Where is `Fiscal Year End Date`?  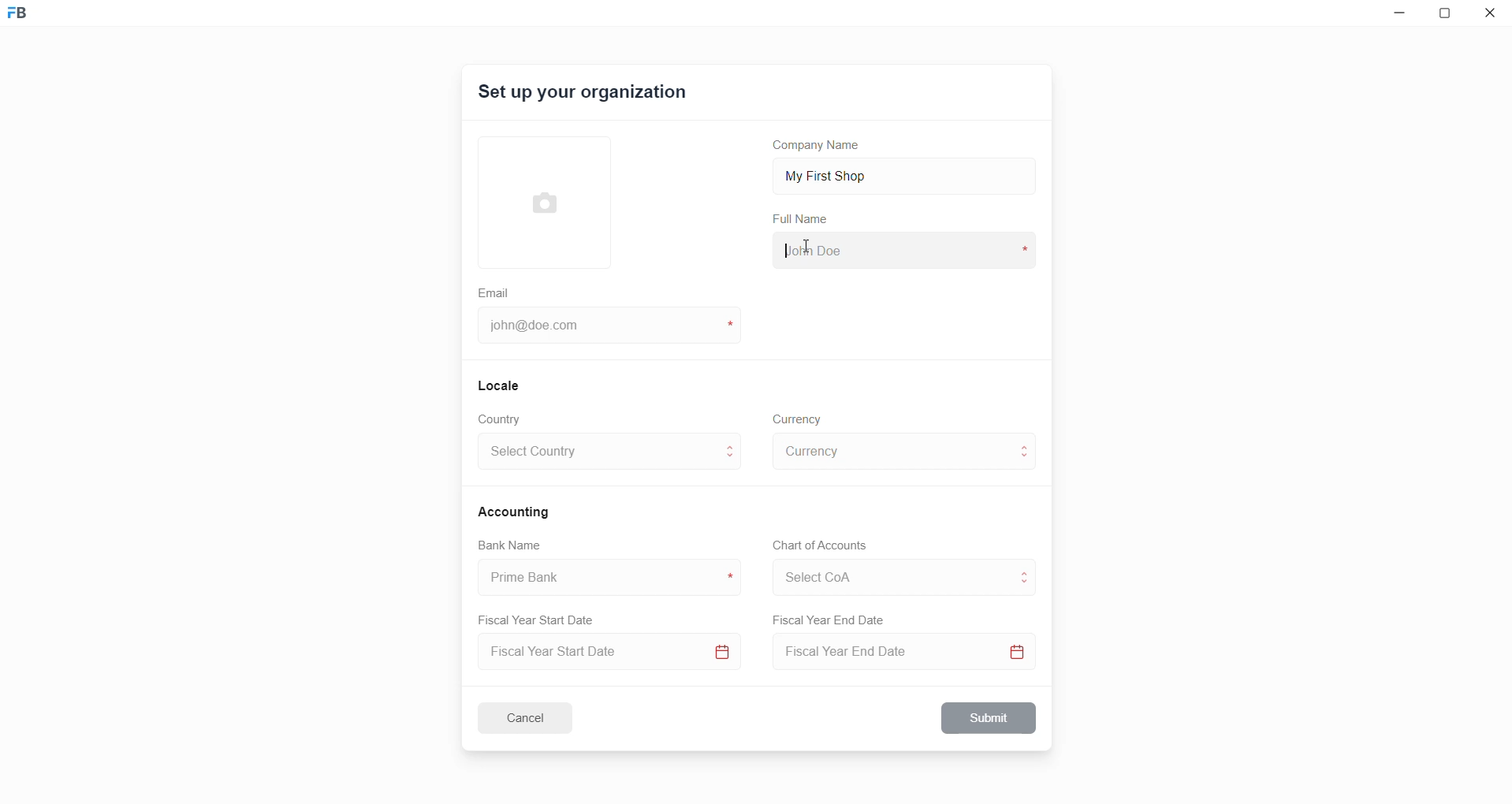
Fiscal Year End Date is located at coordinates (830, 620).